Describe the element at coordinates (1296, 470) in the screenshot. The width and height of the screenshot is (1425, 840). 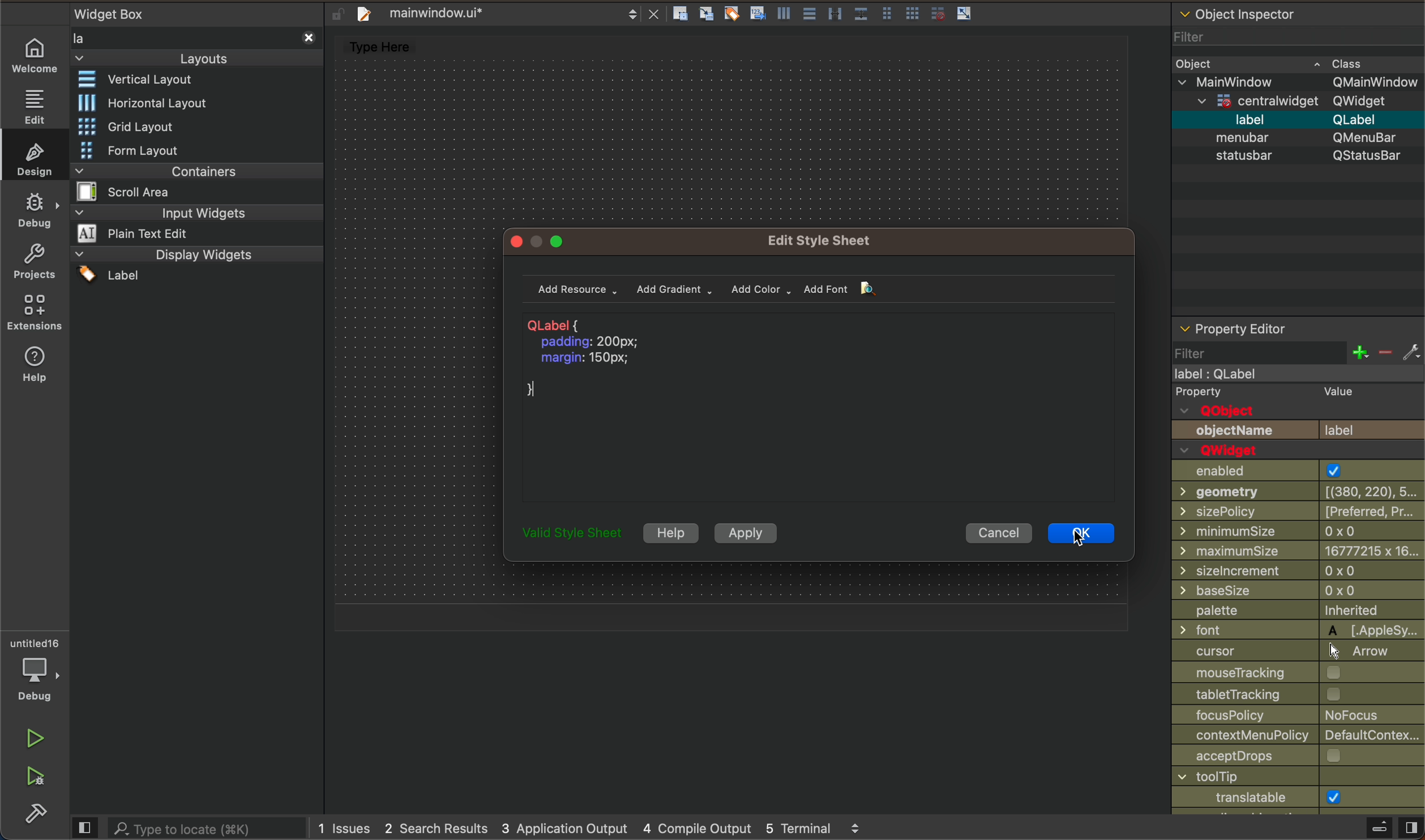
I see `enabled` at that location.